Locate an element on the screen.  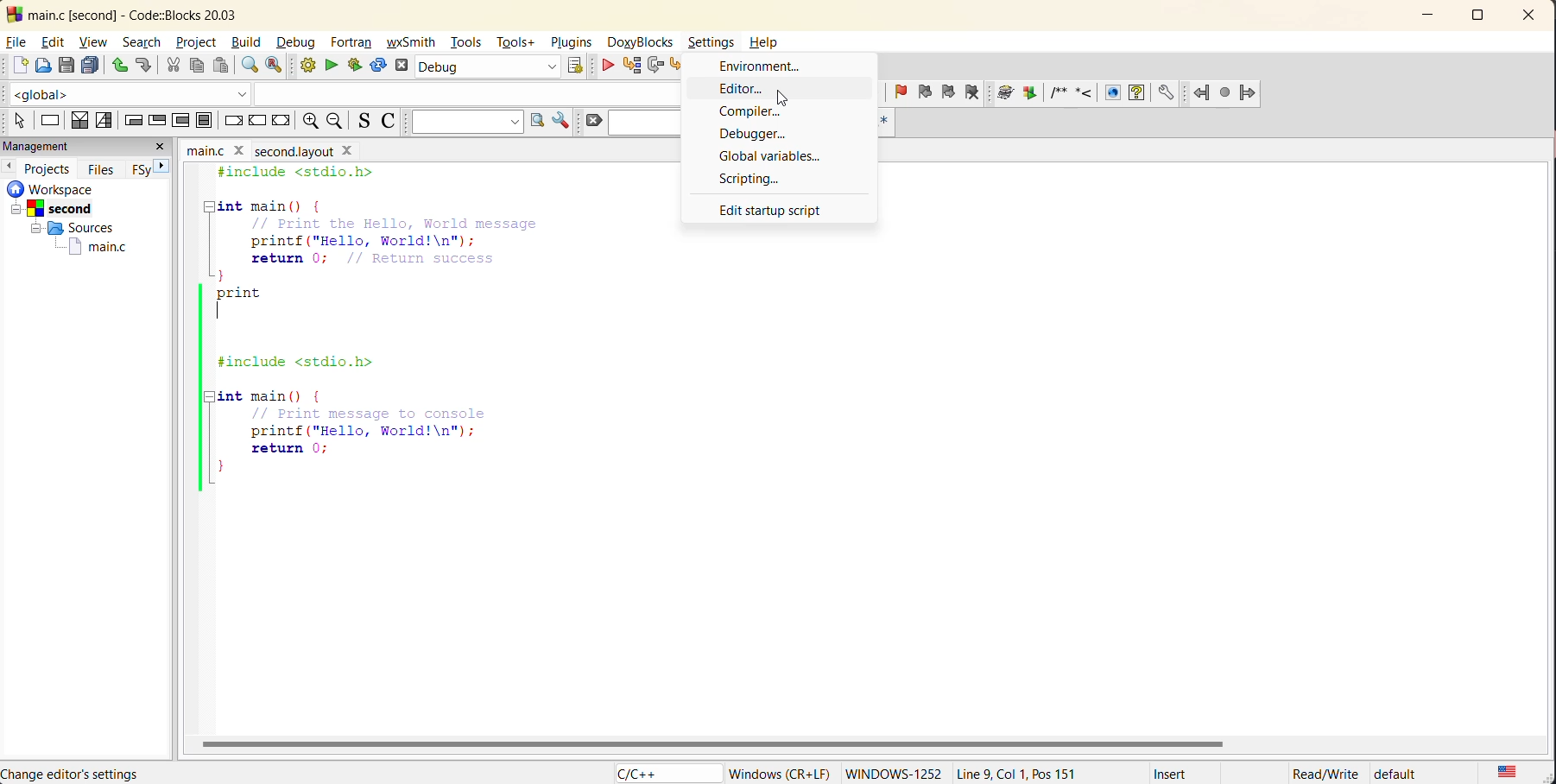
file location is located at coordinates (123, 774).